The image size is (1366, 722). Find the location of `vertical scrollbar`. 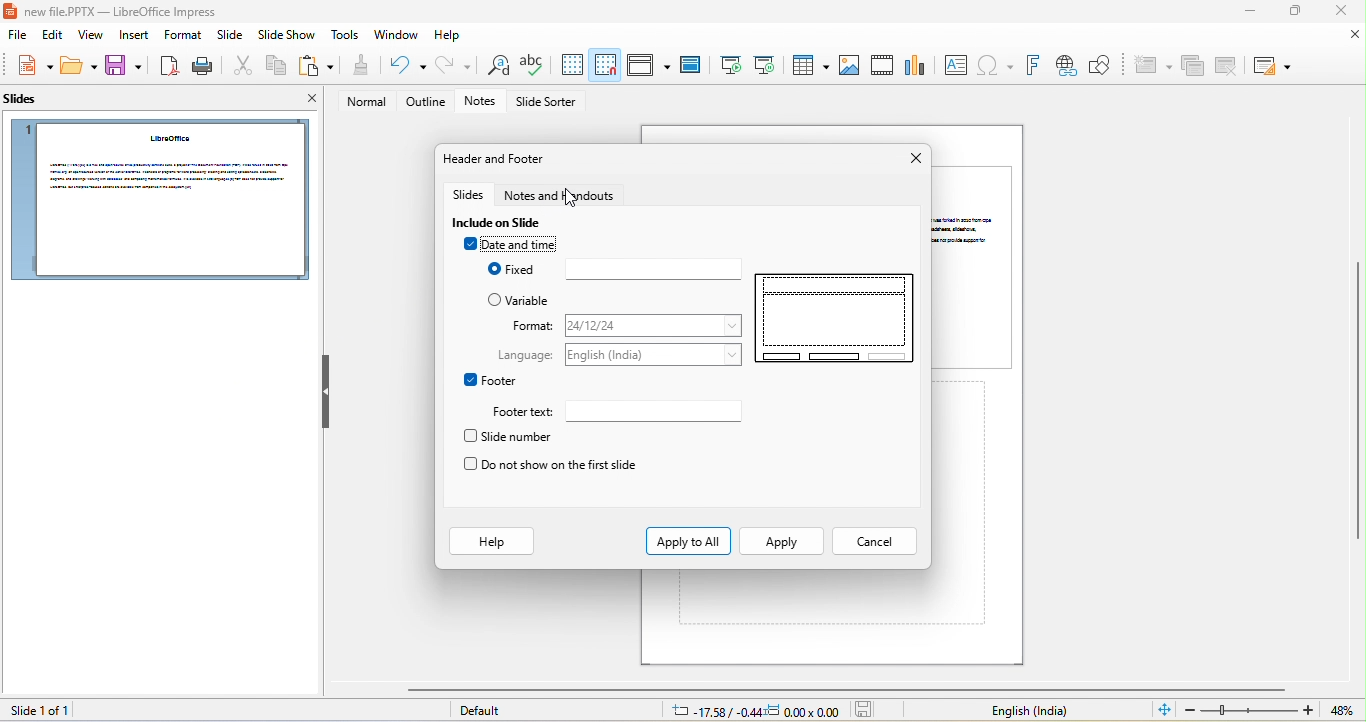

vertical scrollbar is located at coordinates (1357, 402).